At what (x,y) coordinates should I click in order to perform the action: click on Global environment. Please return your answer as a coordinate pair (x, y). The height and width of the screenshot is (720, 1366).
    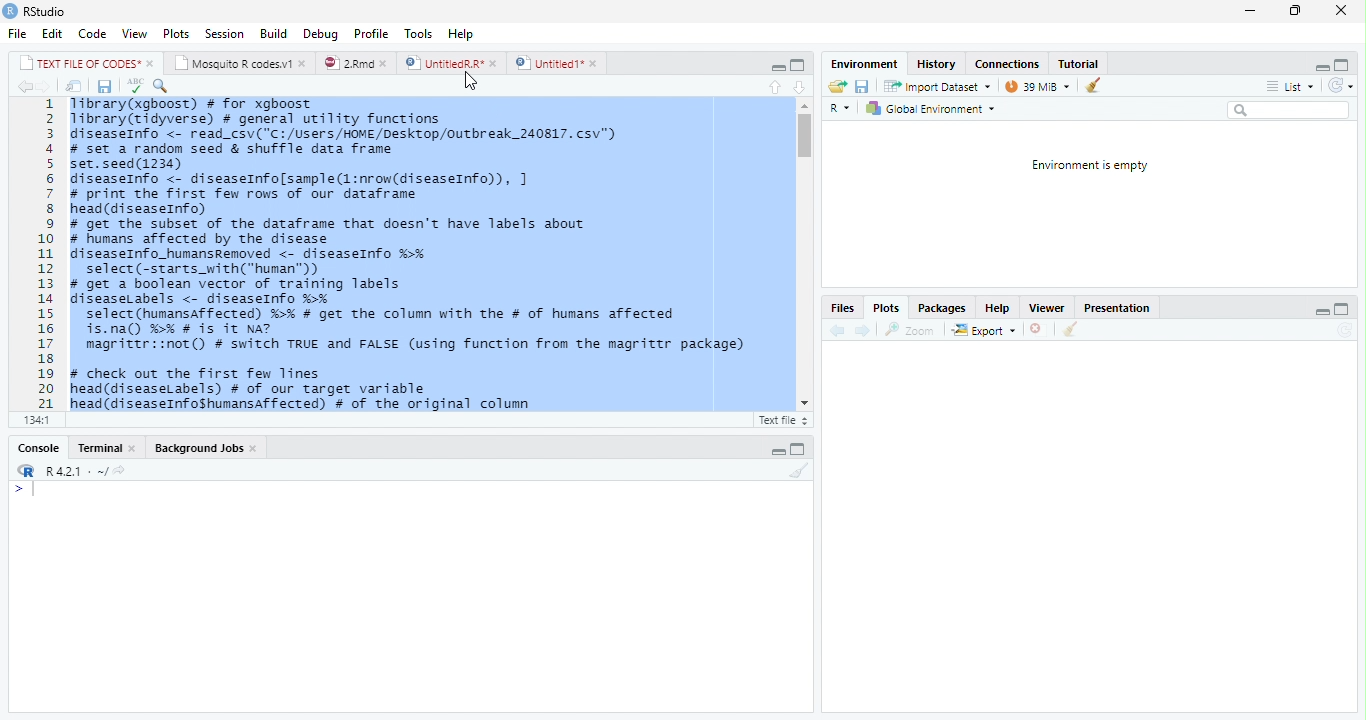
    Looking at the image, I should click on (930, 109).